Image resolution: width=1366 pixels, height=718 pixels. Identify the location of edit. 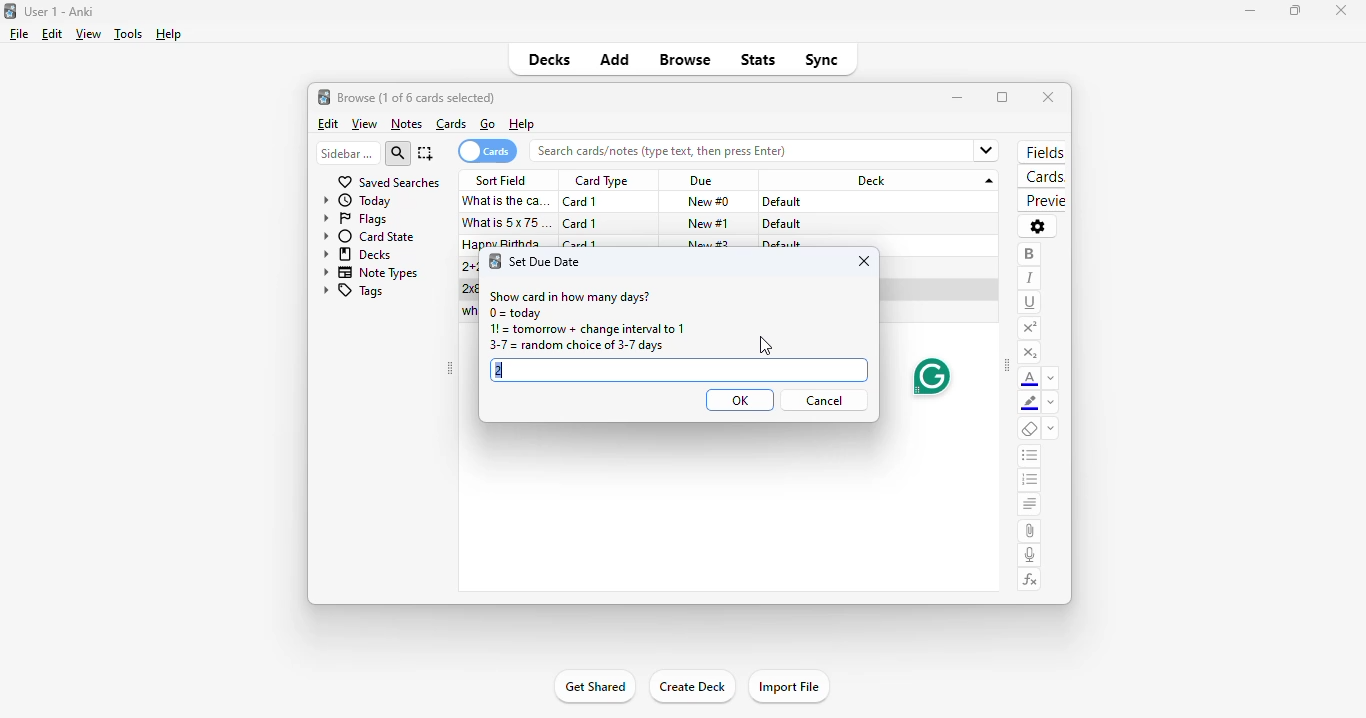
(51, 34).